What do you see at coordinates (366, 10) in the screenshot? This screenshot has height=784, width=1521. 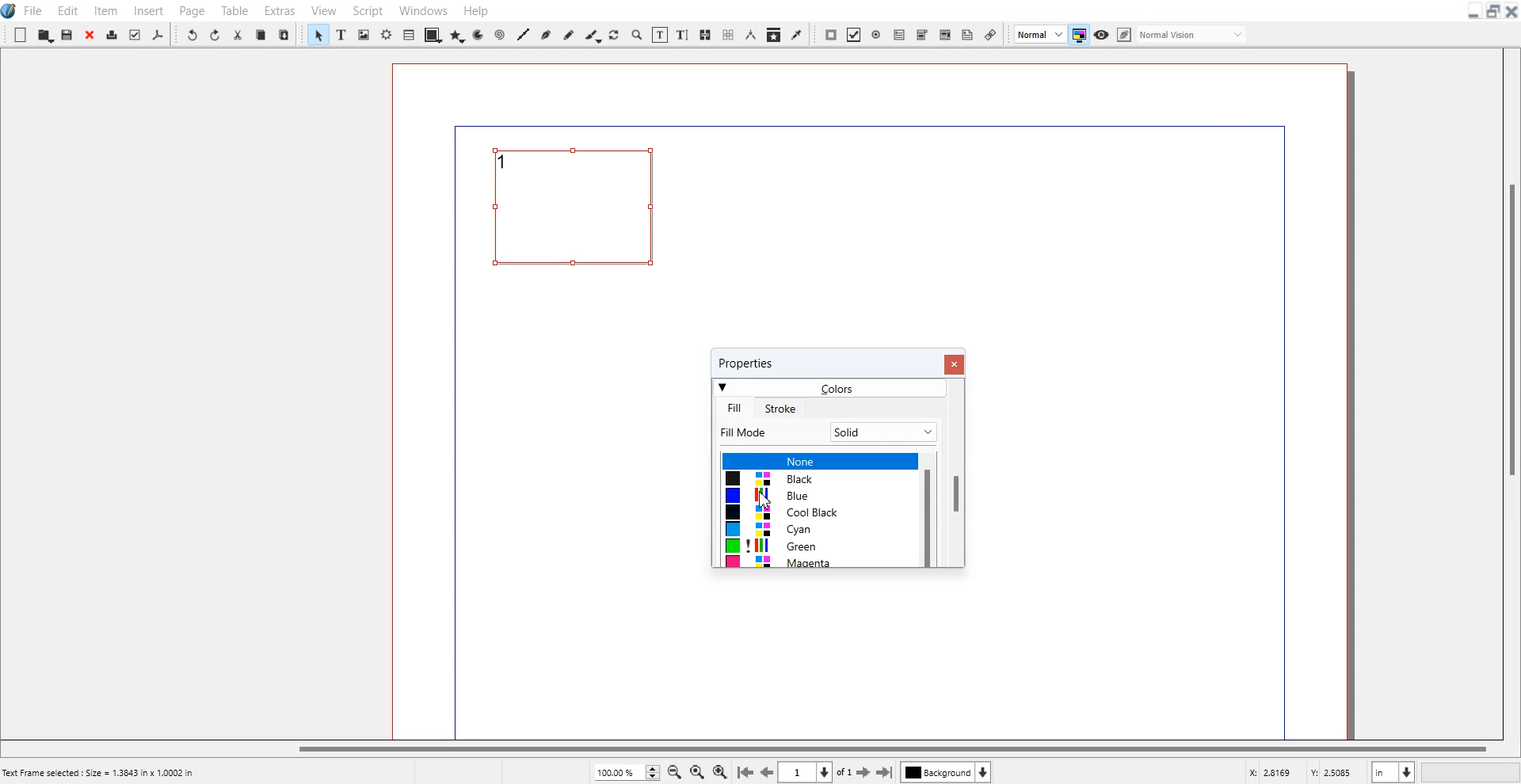 I see `Script` at bounding box center [366, 10].